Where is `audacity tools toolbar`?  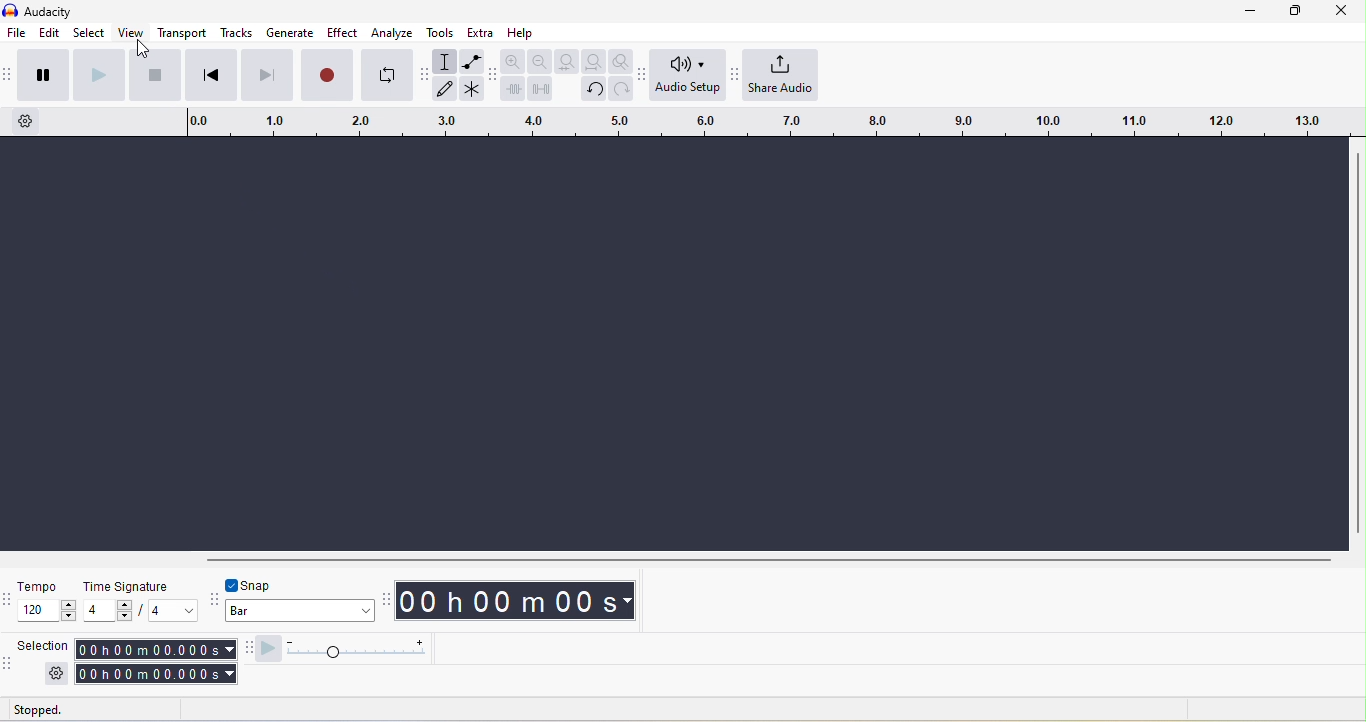 audacity tools toolbar is located at coordinates (424, 74).